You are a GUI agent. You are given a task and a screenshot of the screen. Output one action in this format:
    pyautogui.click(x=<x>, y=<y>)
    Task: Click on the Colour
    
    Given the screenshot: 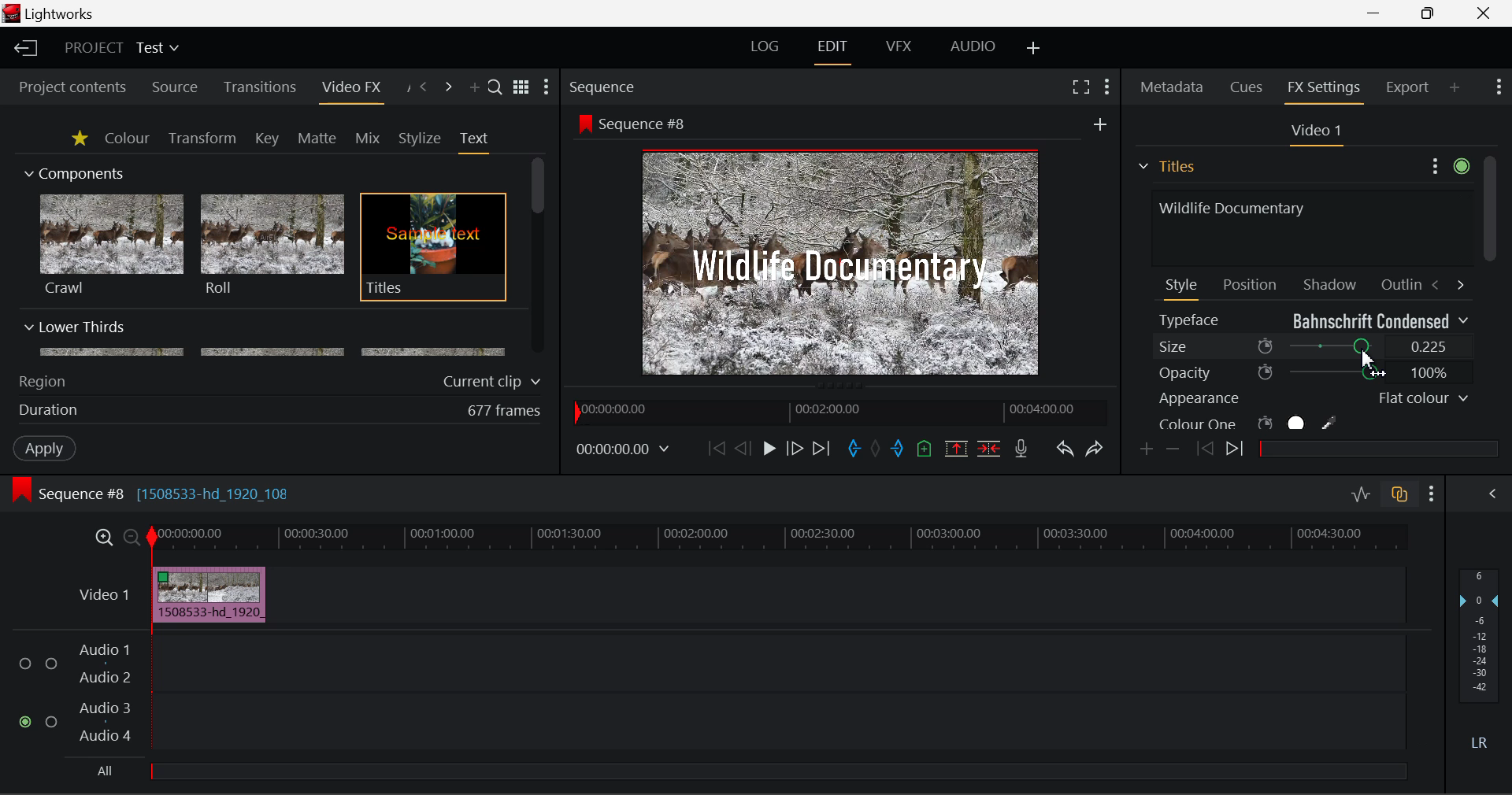 What is the action you would take?
    pyautogui.click(x=127, y=137)
    